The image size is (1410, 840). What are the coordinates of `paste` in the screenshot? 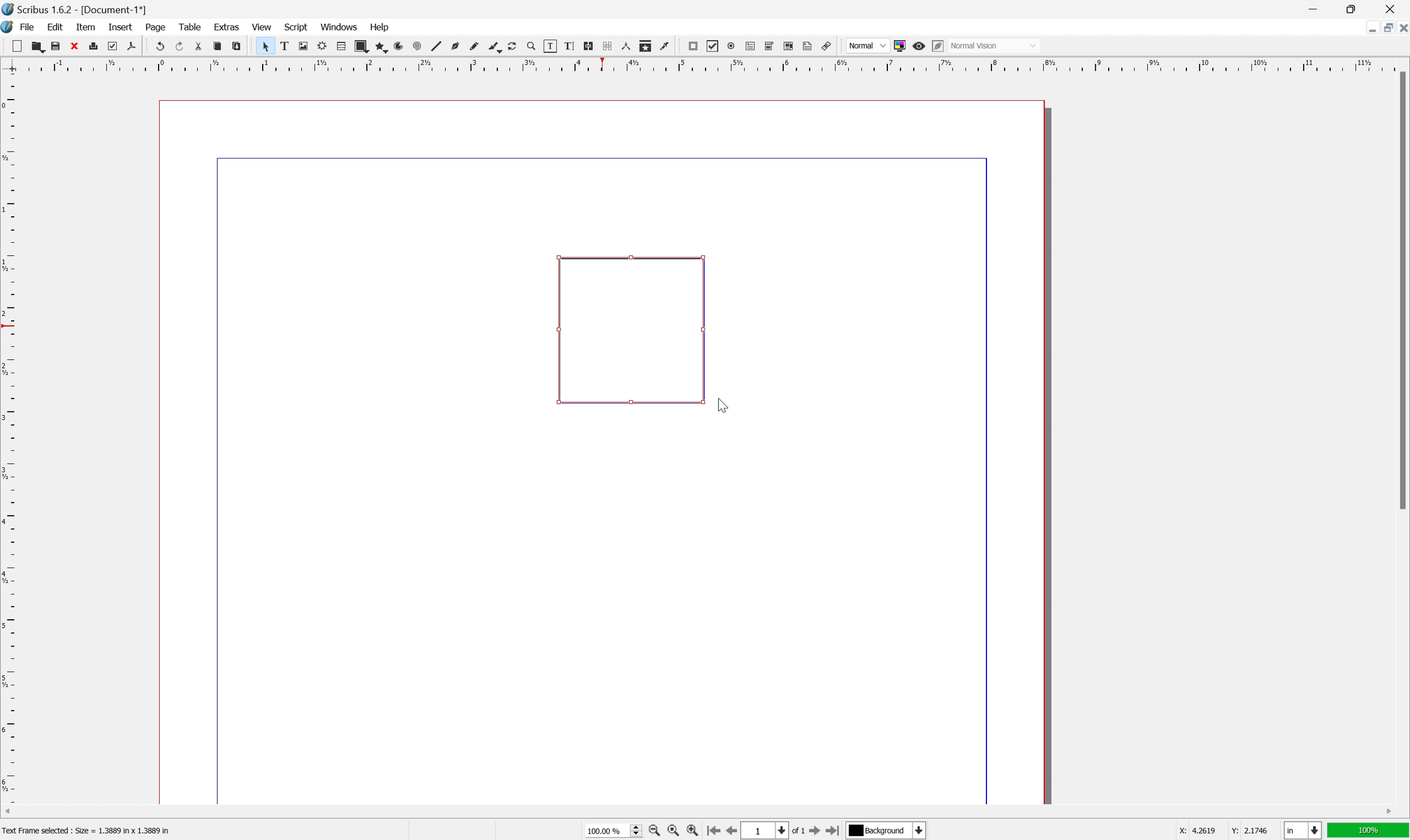 It's located at (236, 46).